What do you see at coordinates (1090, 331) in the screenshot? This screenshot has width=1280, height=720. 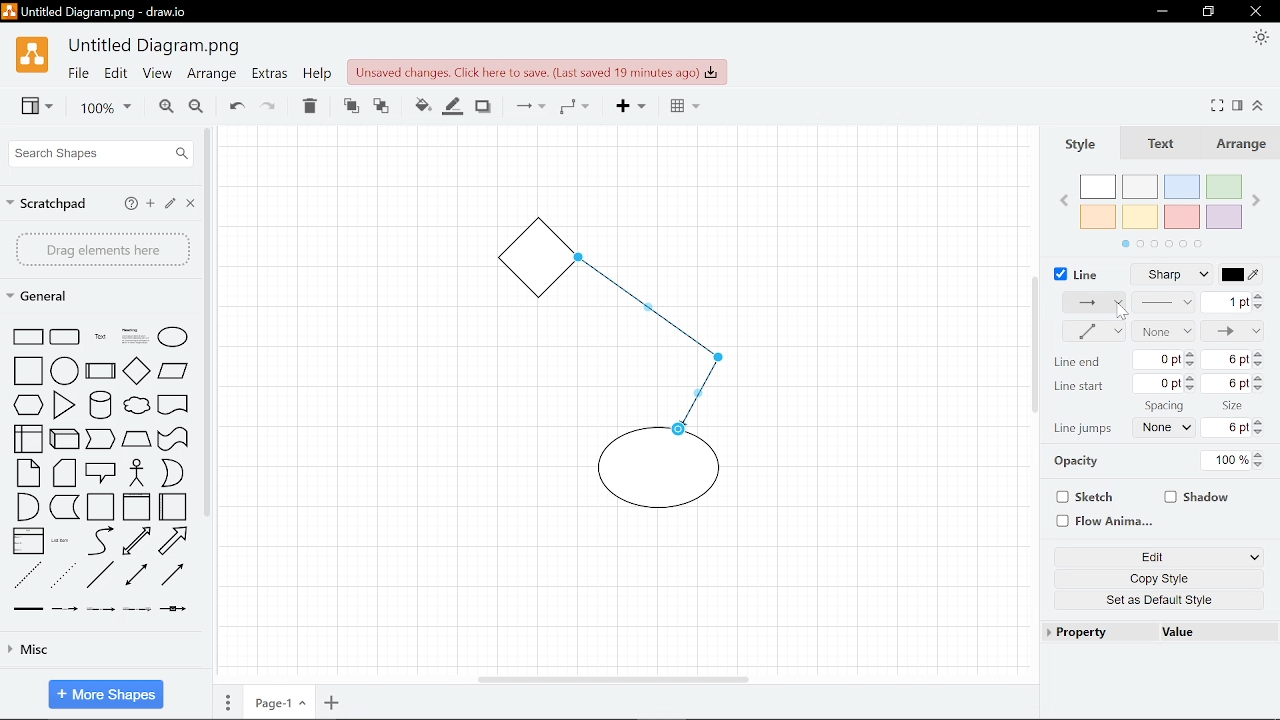 I see `Way points` at bounding box center [1090, 331].